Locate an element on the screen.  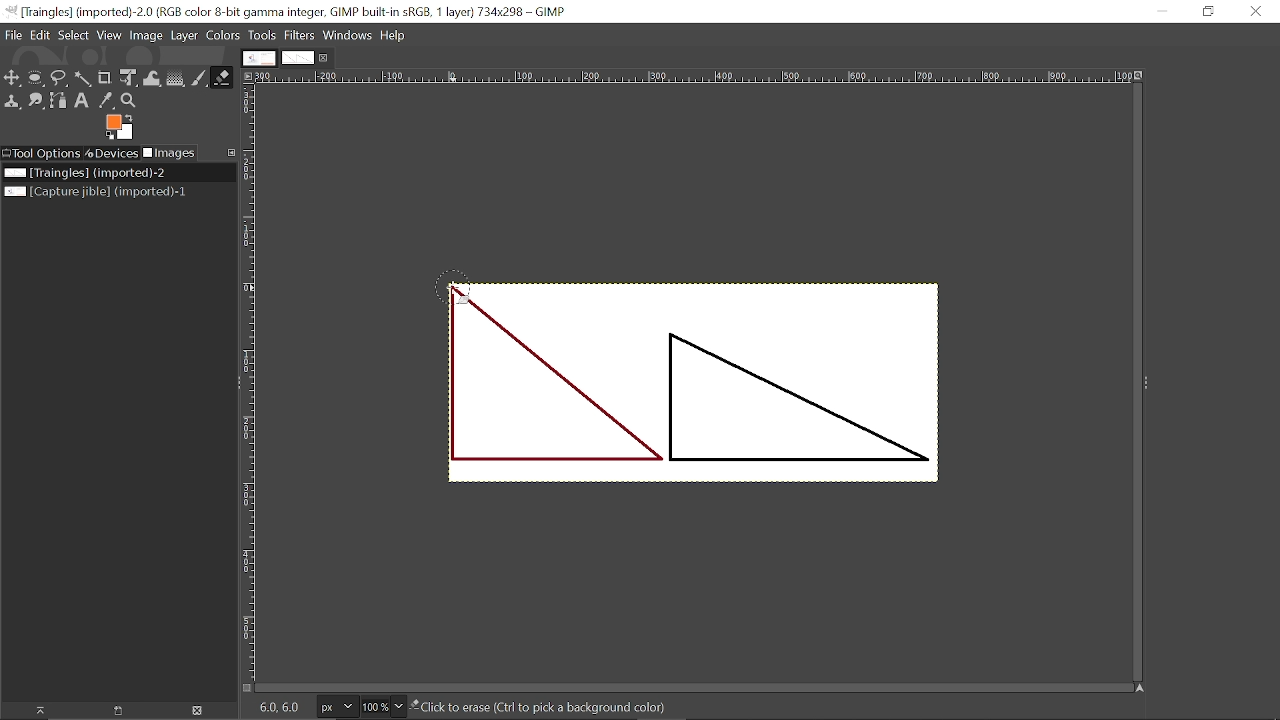
Images is located at coordinates (169, 153).